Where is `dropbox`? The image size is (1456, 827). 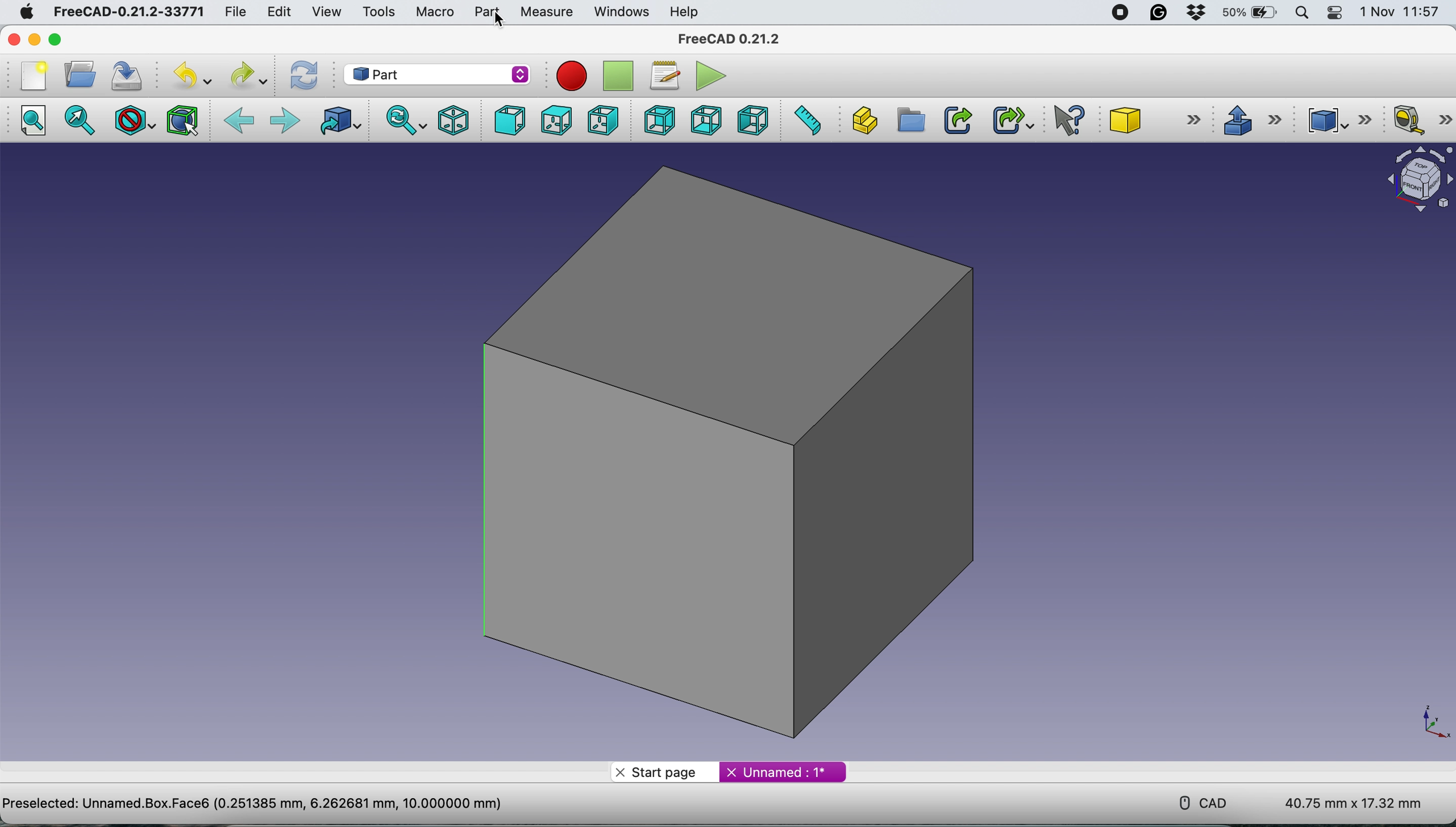 dropbox is located at coordinates (1199, 12).